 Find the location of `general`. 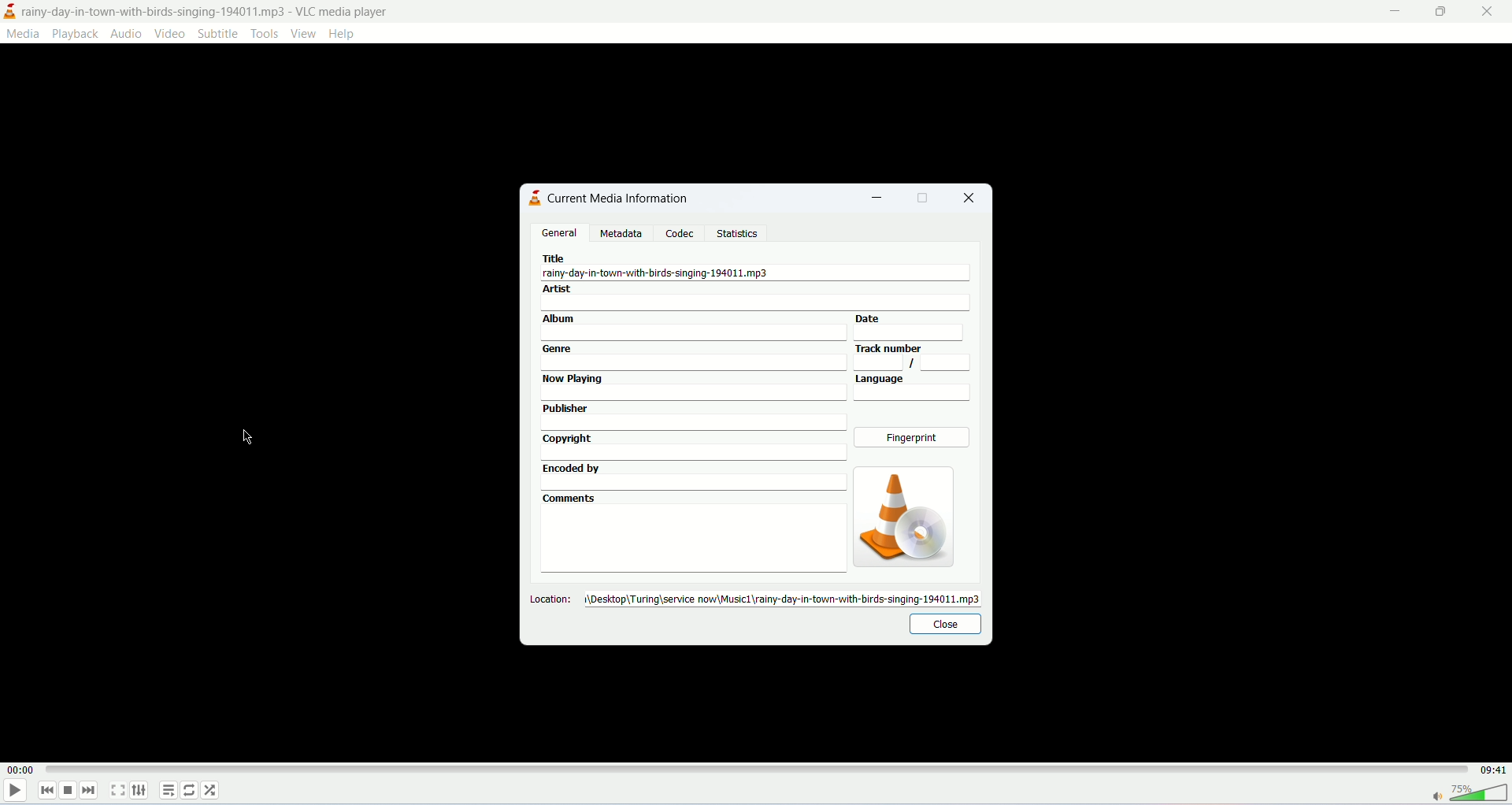

general is located at coordinates (565, 234).